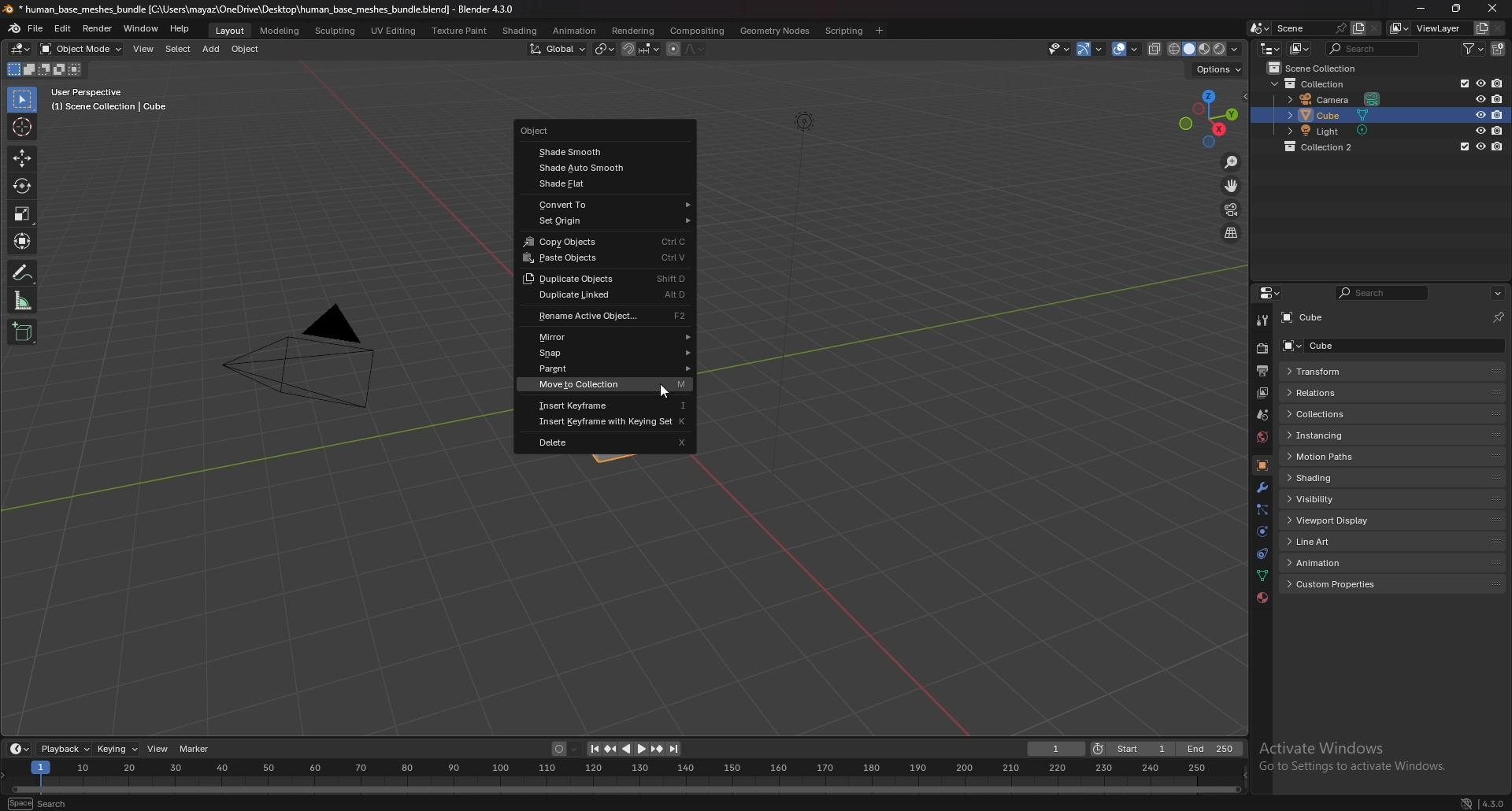 This screenshot has height=811, width=1512. Describe the element at coordinates (281, 31) in the screenshot. I see `modeling` at that location.